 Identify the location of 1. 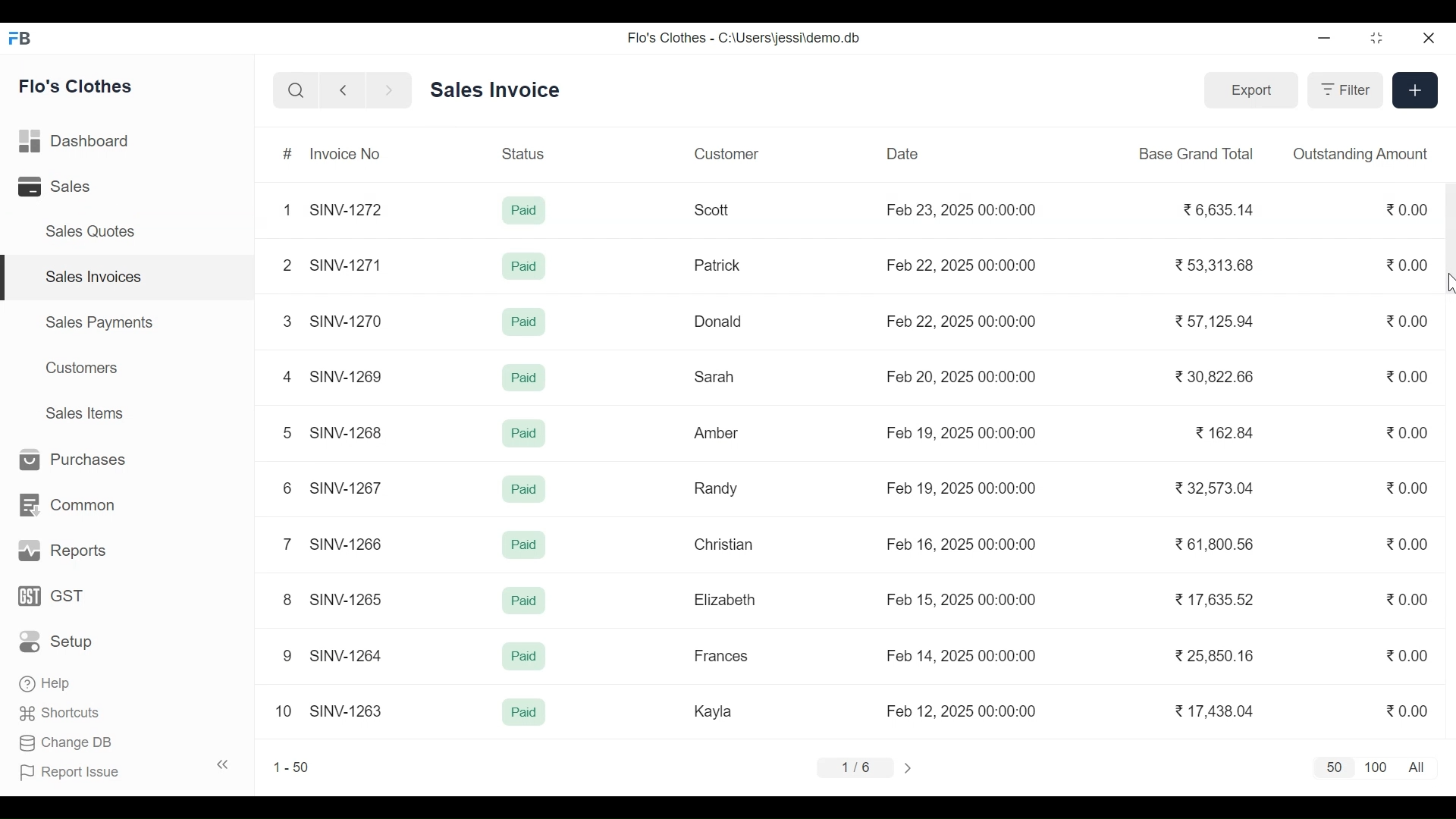
(287, 209).